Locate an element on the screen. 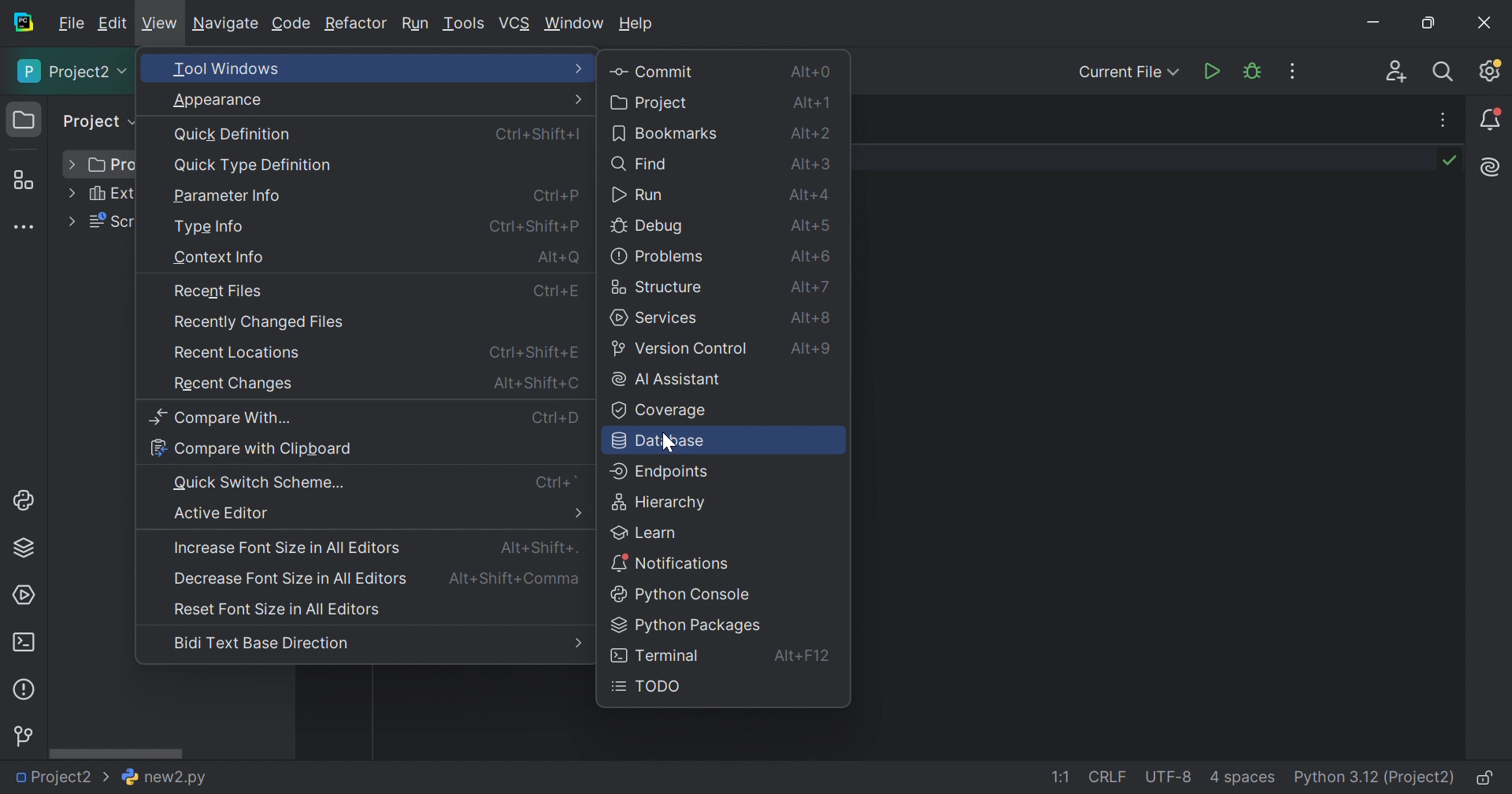 This screenshot has width=1512, height=794. Debud is located at coordinates (1252, 73).